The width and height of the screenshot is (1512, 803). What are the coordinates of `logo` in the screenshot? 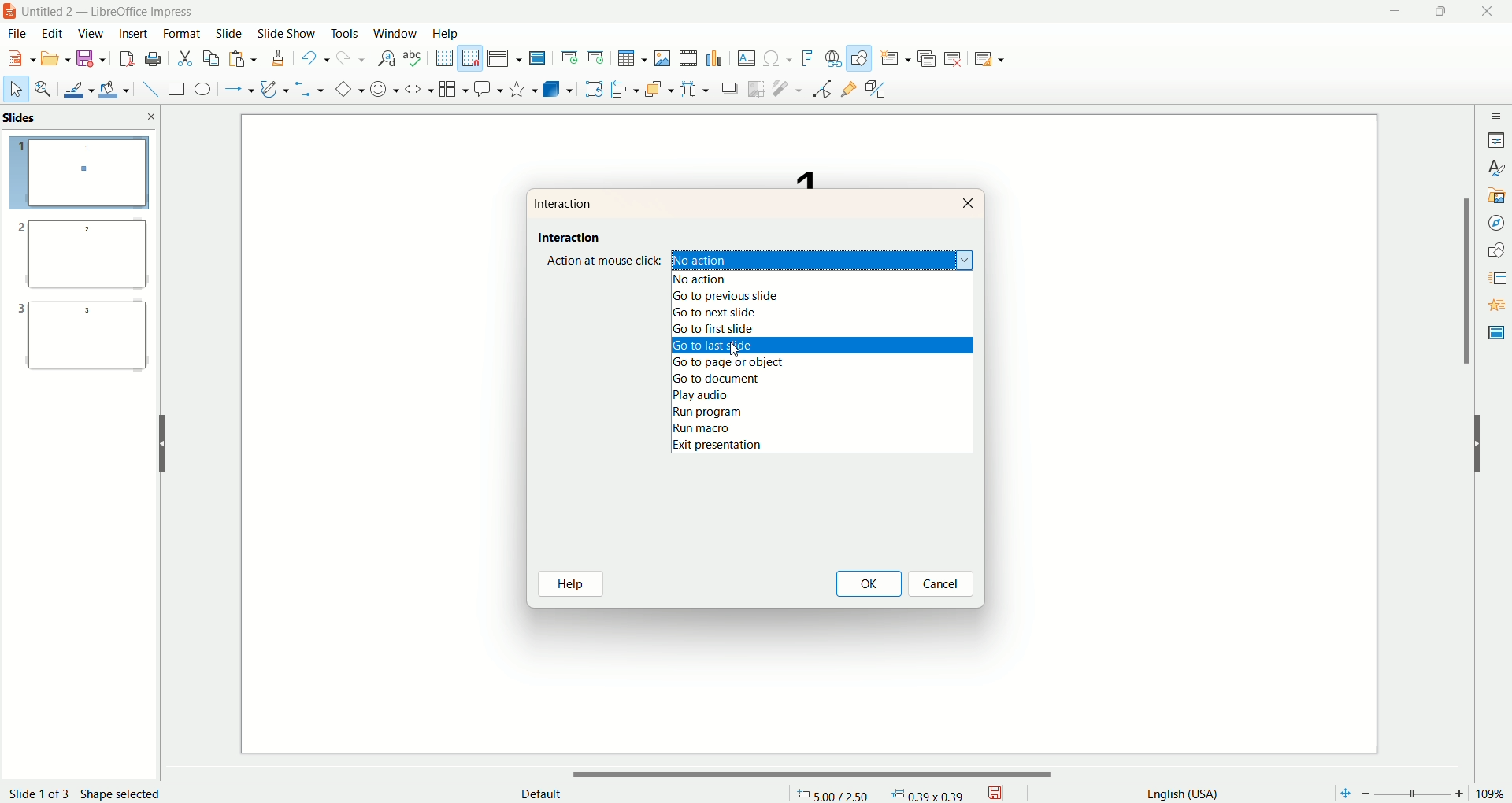 It's located at (10, 13).